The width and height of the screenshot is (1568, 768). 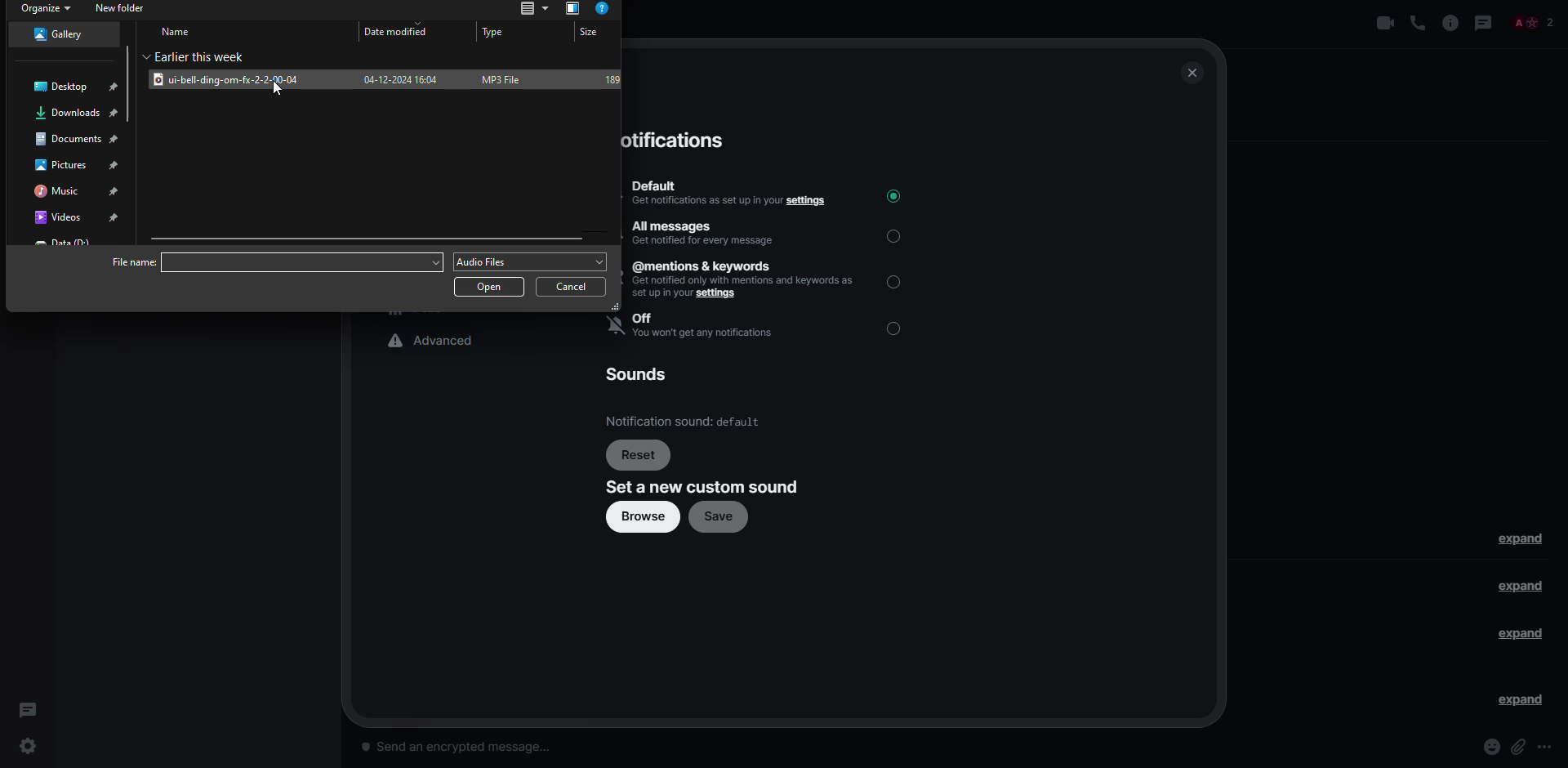 I want to click on voice, so click(x=1418, y=25).